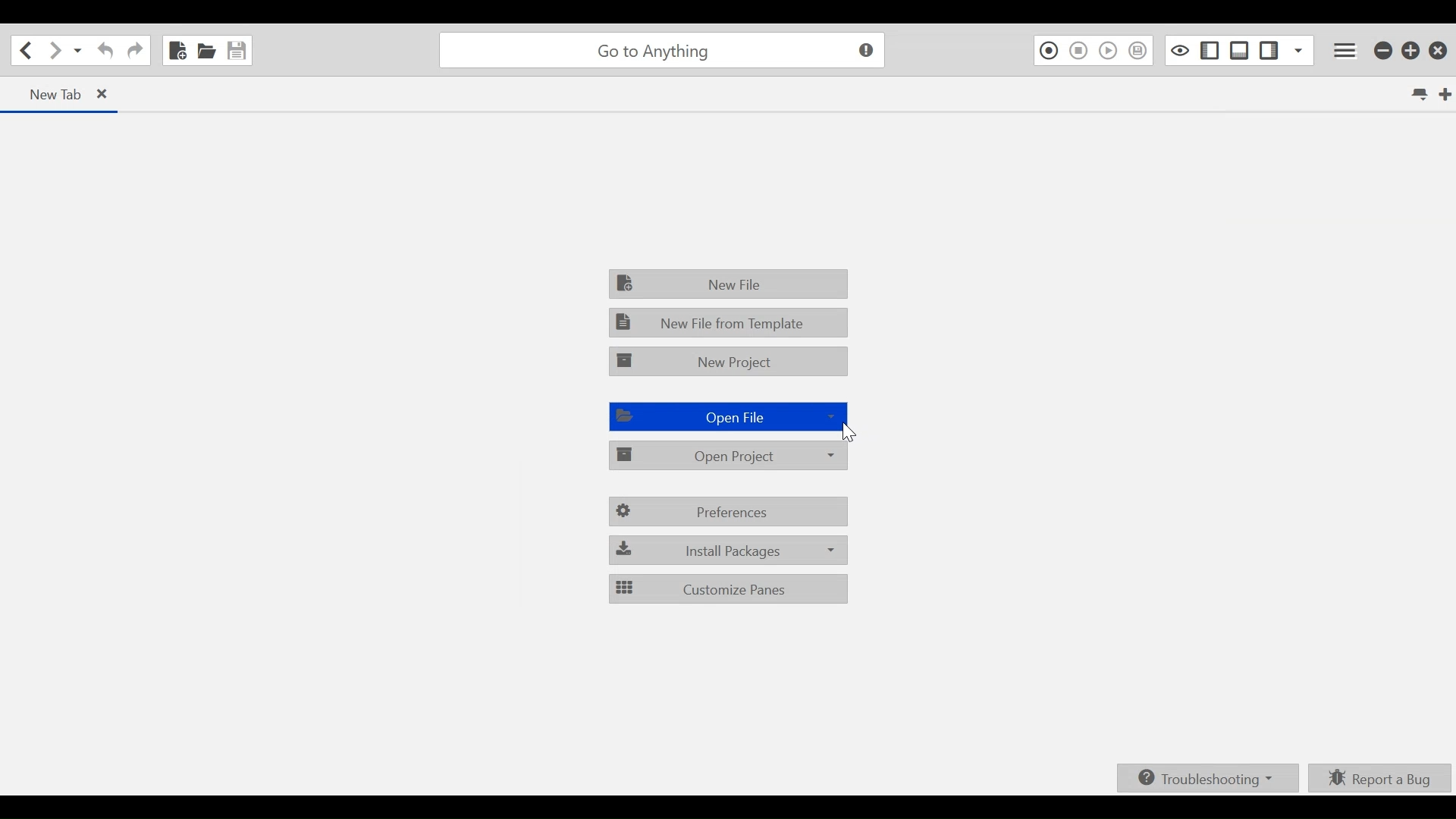 This screenshot has width=1456, height=819. Describe the element at coordinates (726, 588) in the screenshot. I see `Customize Pages` at that location.